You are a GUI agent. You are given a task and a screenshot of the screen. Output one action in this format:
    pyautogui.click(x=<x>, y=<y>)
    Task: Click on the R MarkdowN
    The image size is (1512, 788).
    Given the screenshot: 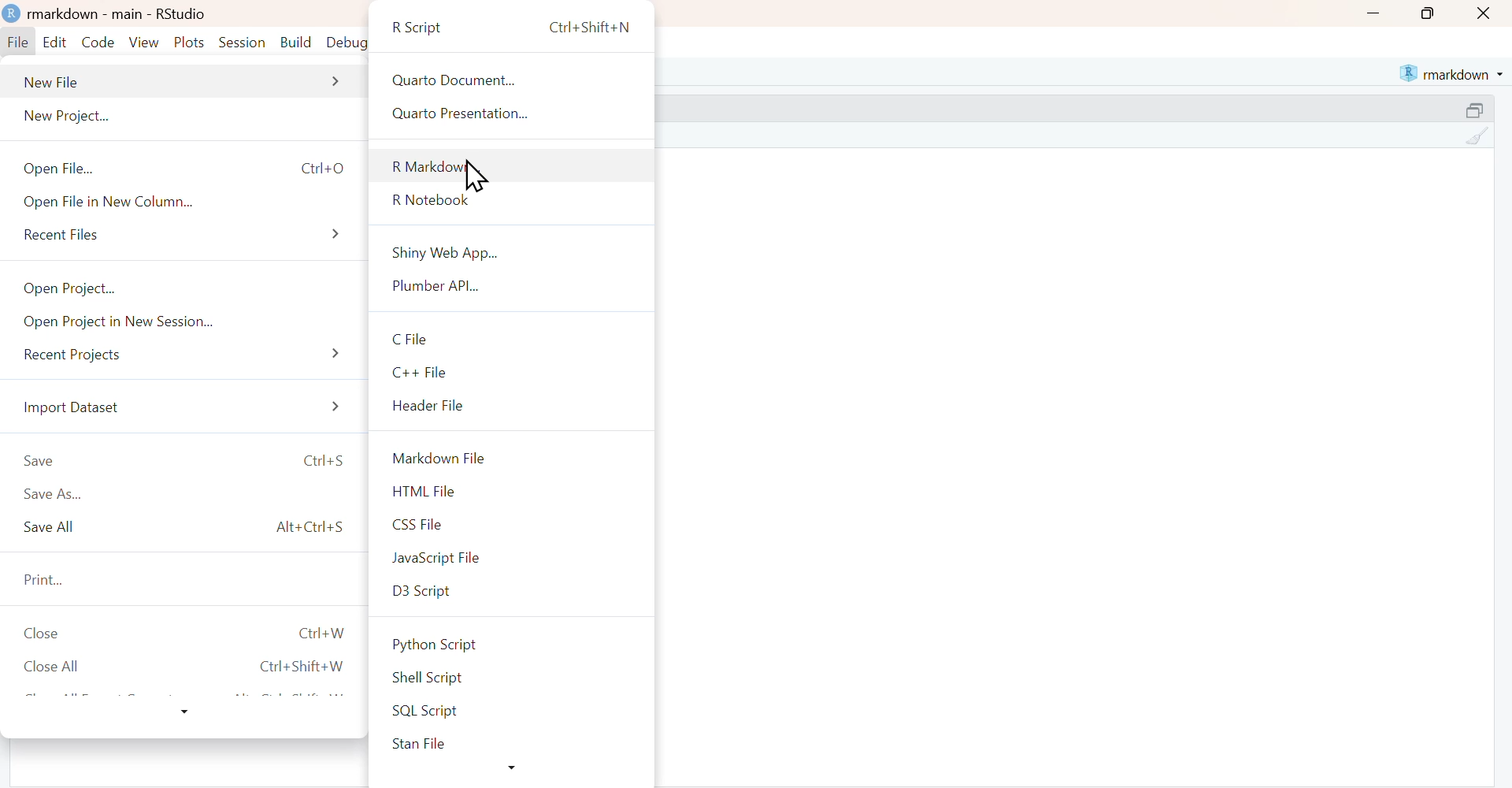 What is the action you would take?
    pyautogui.click(x=518, y=165)
    